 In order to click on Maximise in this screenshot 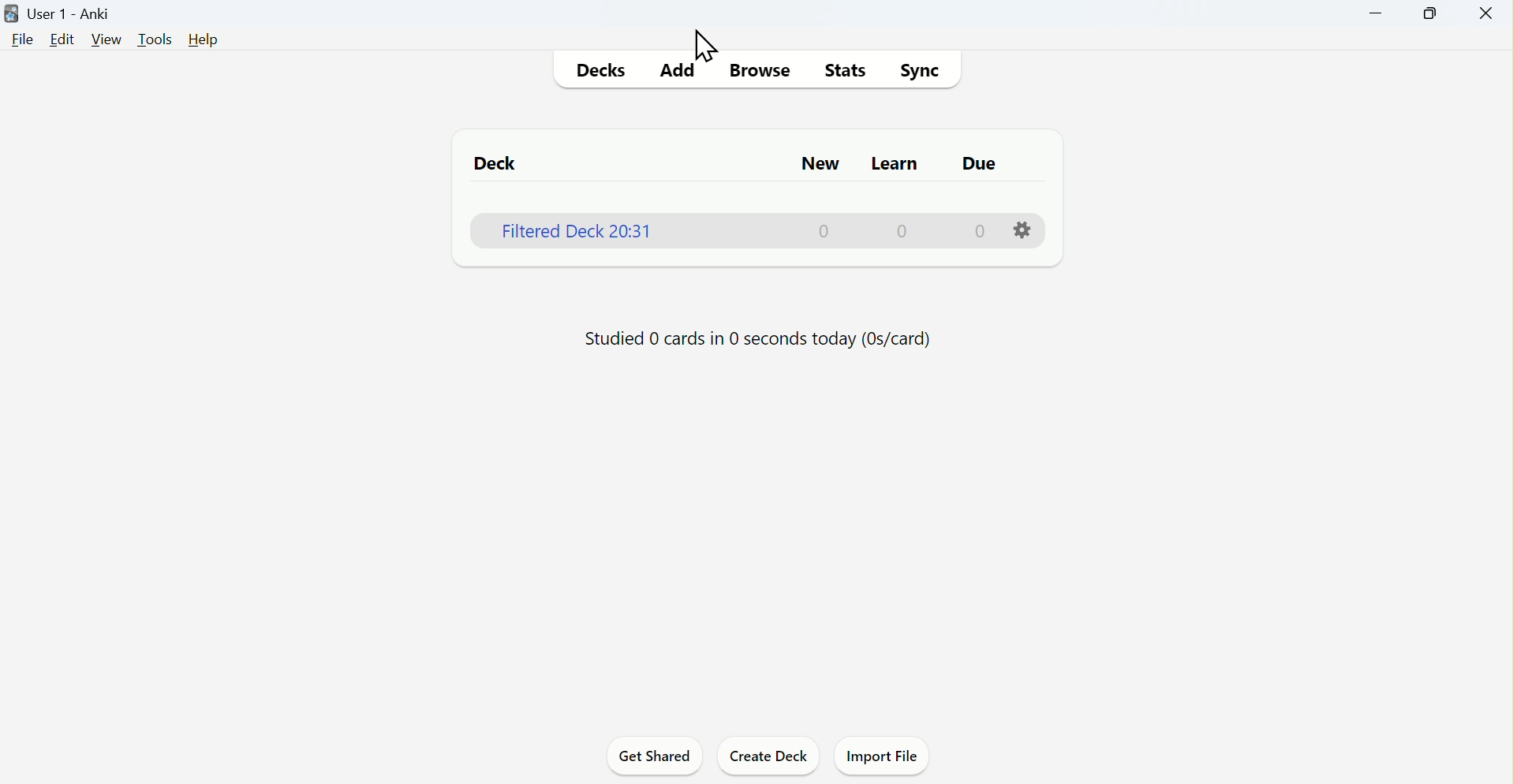, I will do `click(1423, 20)`.